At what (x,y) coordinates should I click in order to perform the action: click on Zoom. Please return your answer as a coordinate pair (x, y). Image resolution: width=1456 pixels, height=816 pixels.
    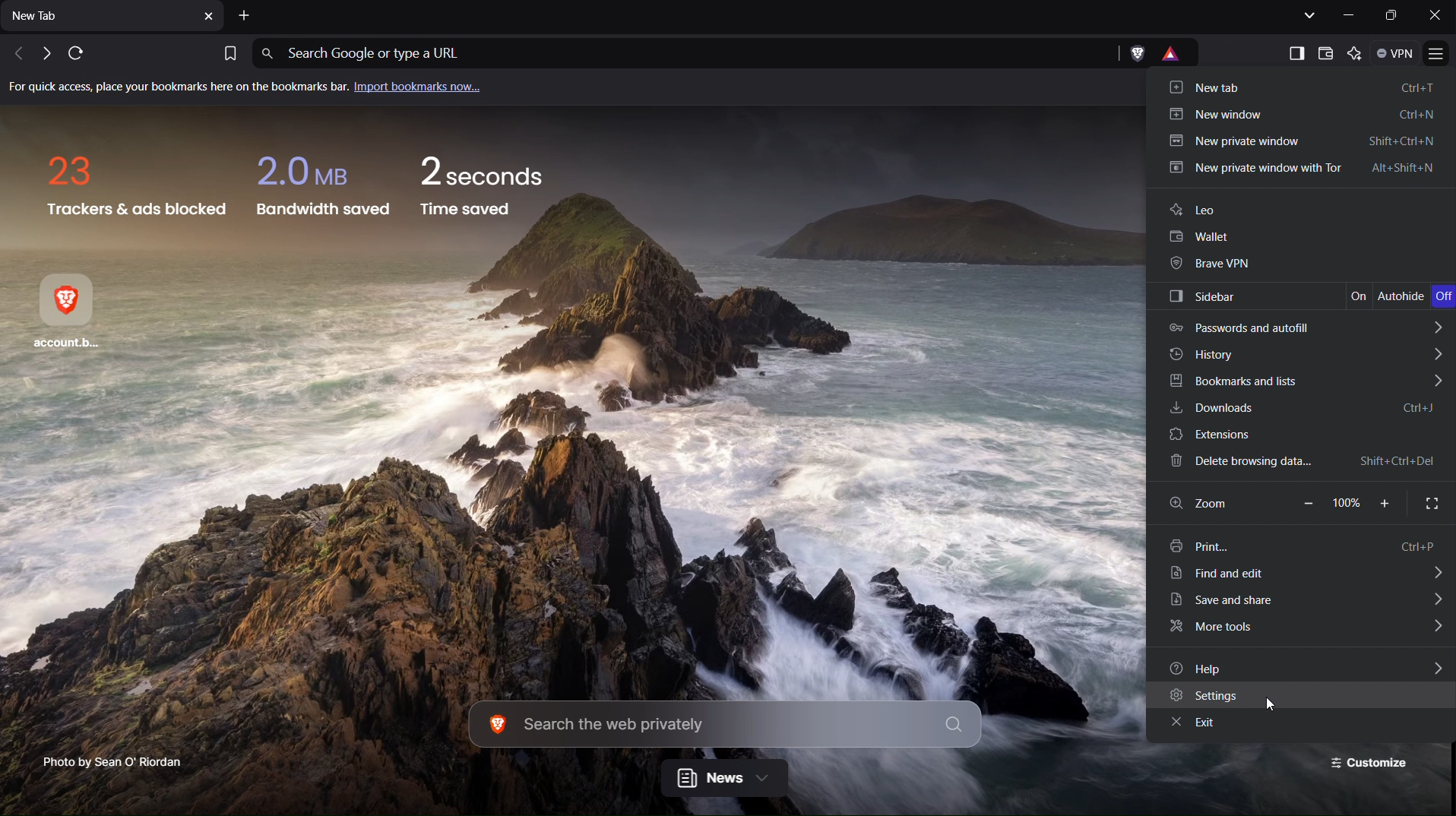
    Looking at the image, I should click on (1220, 505).